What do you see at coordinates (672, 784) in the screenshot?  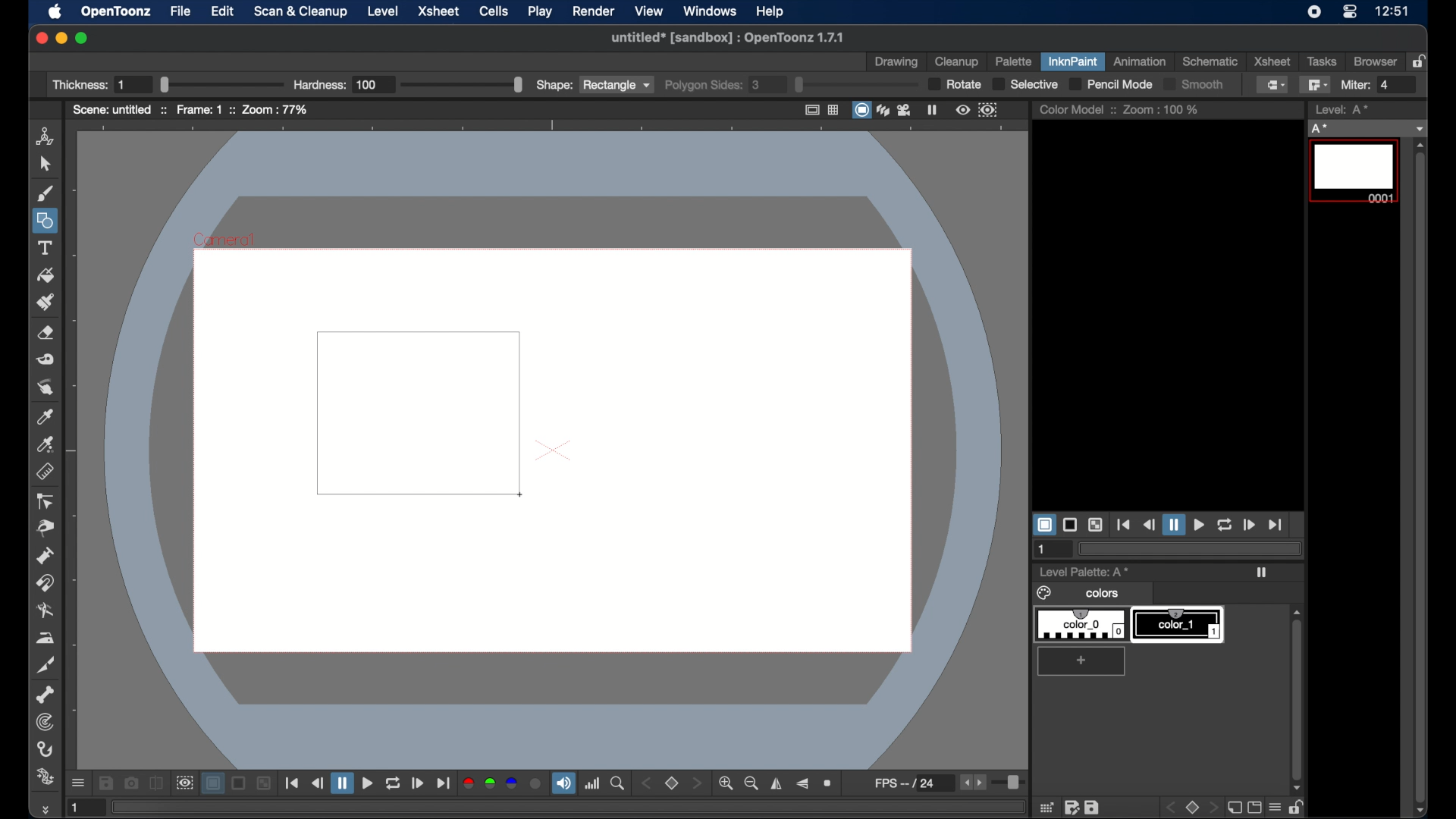 I see `set view` at bounding box center [672, 784].